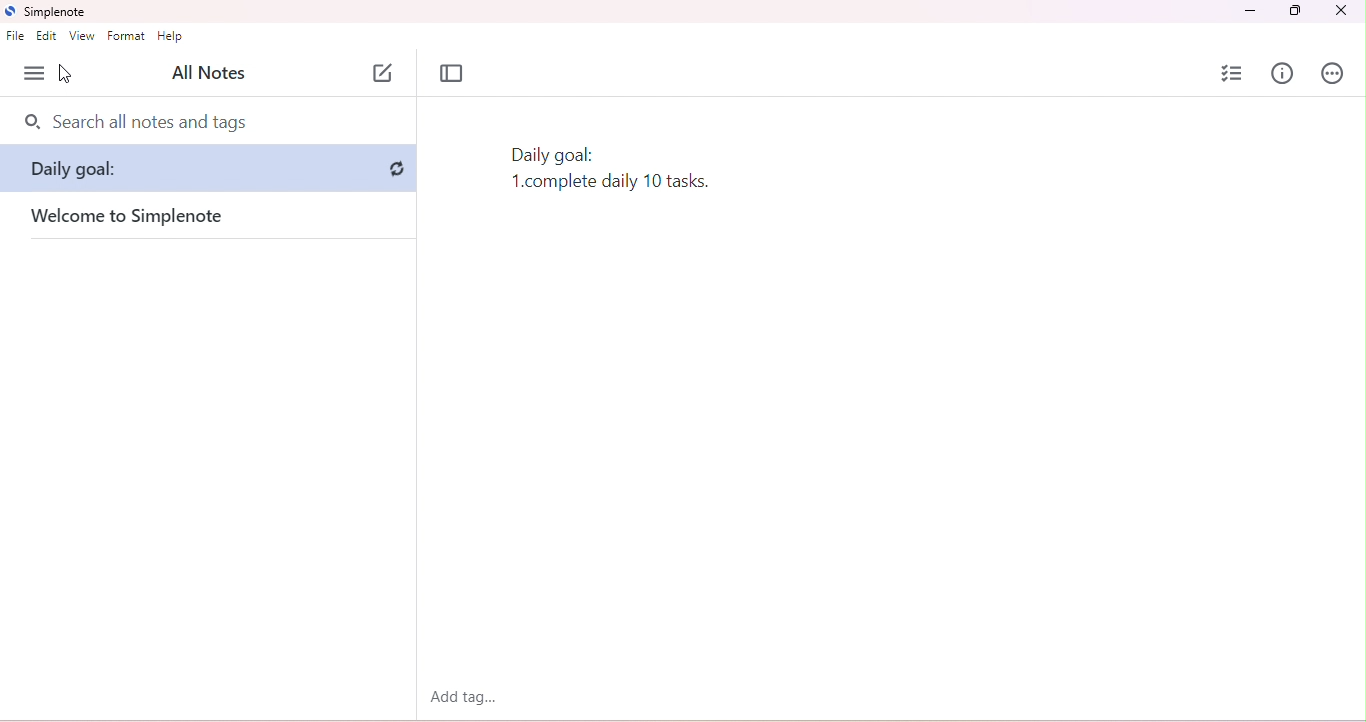 The width and height of the screenshot is (1366, 722). What do you see at coordinates (1340, 10) in the screenshot?
I see `close` at bounding box center [1340, 10].